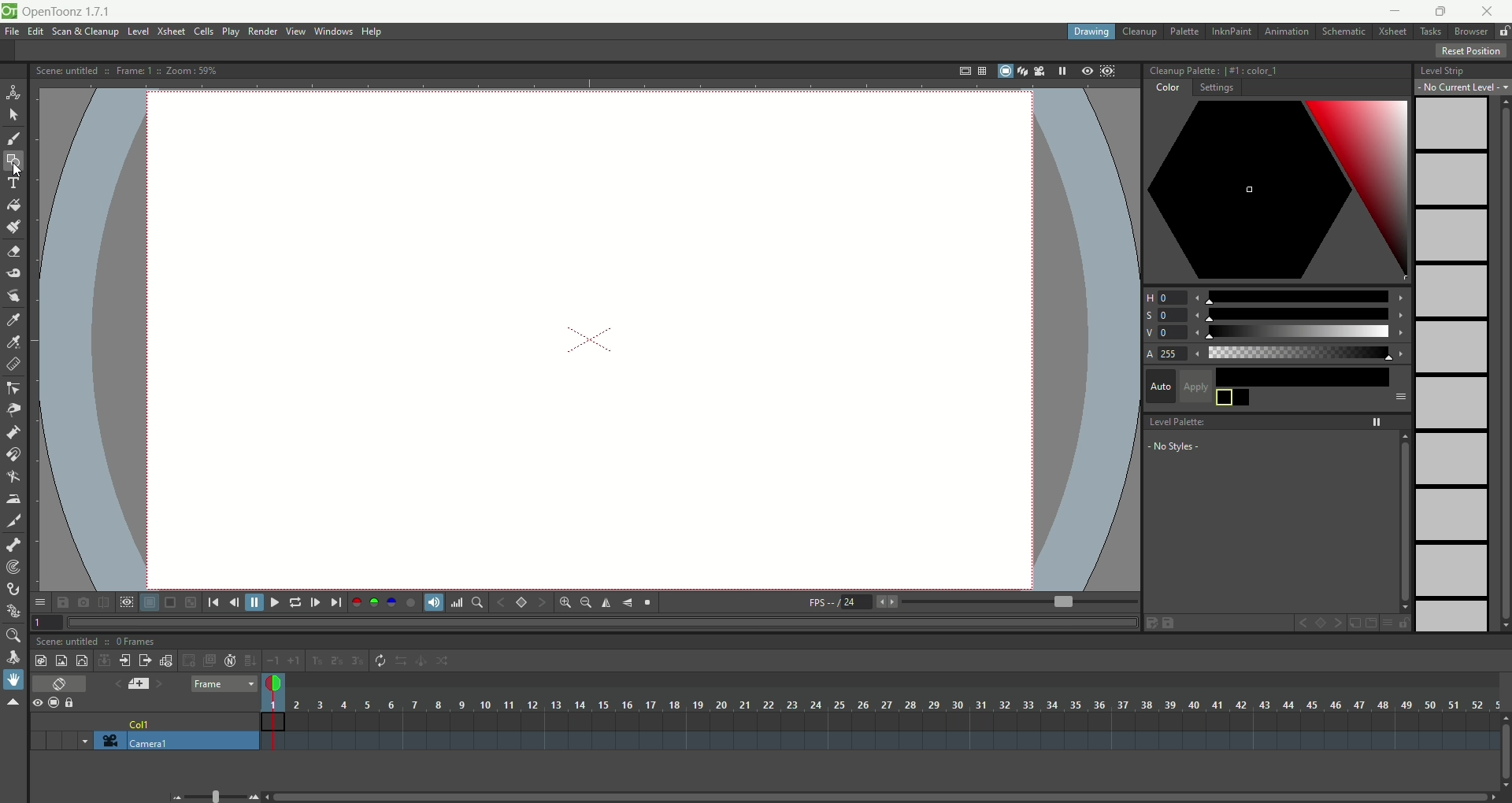 This screenshot has width=1512, height=803. Describe the element at coordinates (13, 431) in the screenshot. I see `pump ` at that location.